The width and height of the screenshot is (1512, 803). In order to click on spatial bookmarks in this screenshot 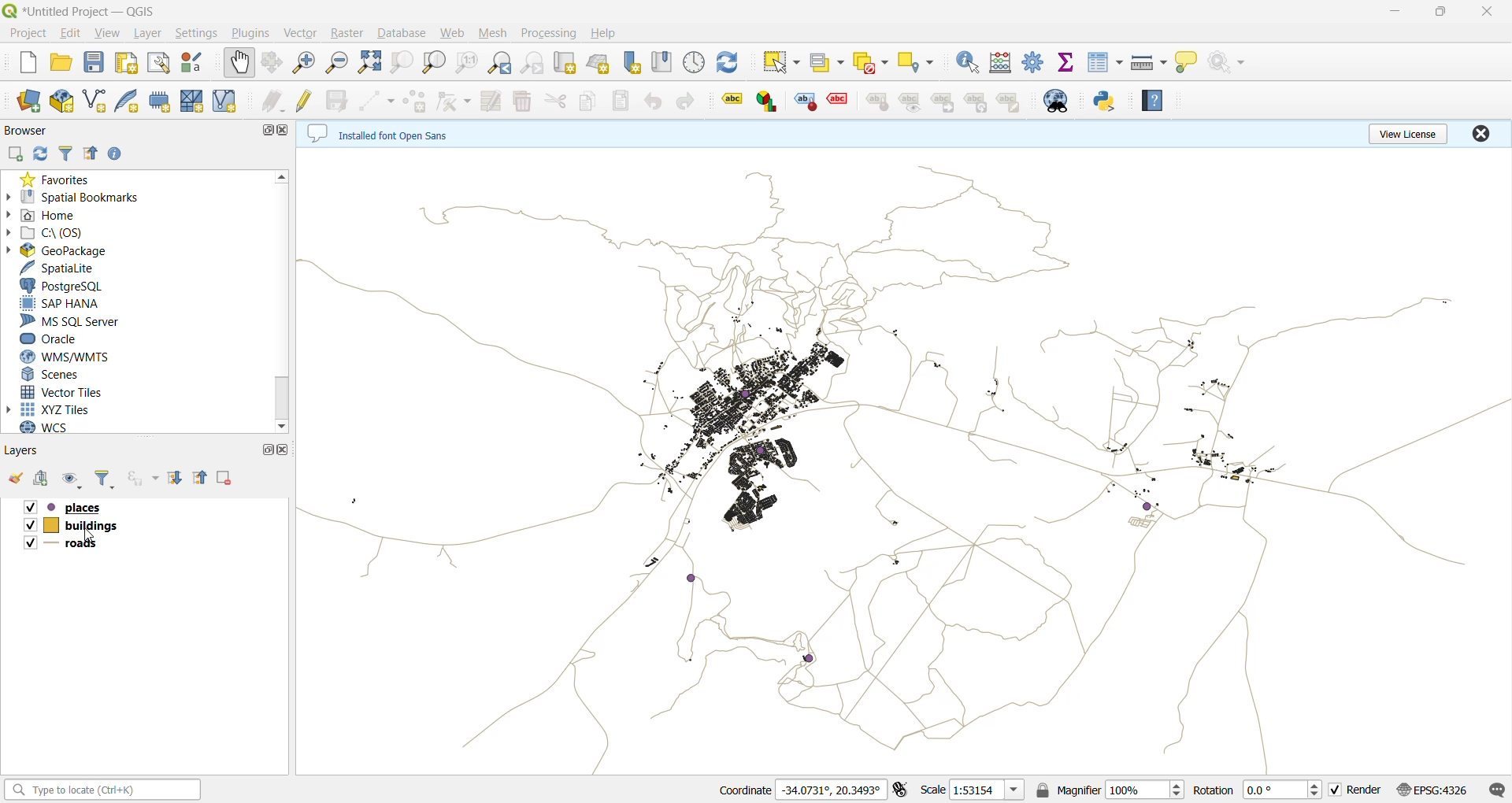, I will do `click(77, 197)`.